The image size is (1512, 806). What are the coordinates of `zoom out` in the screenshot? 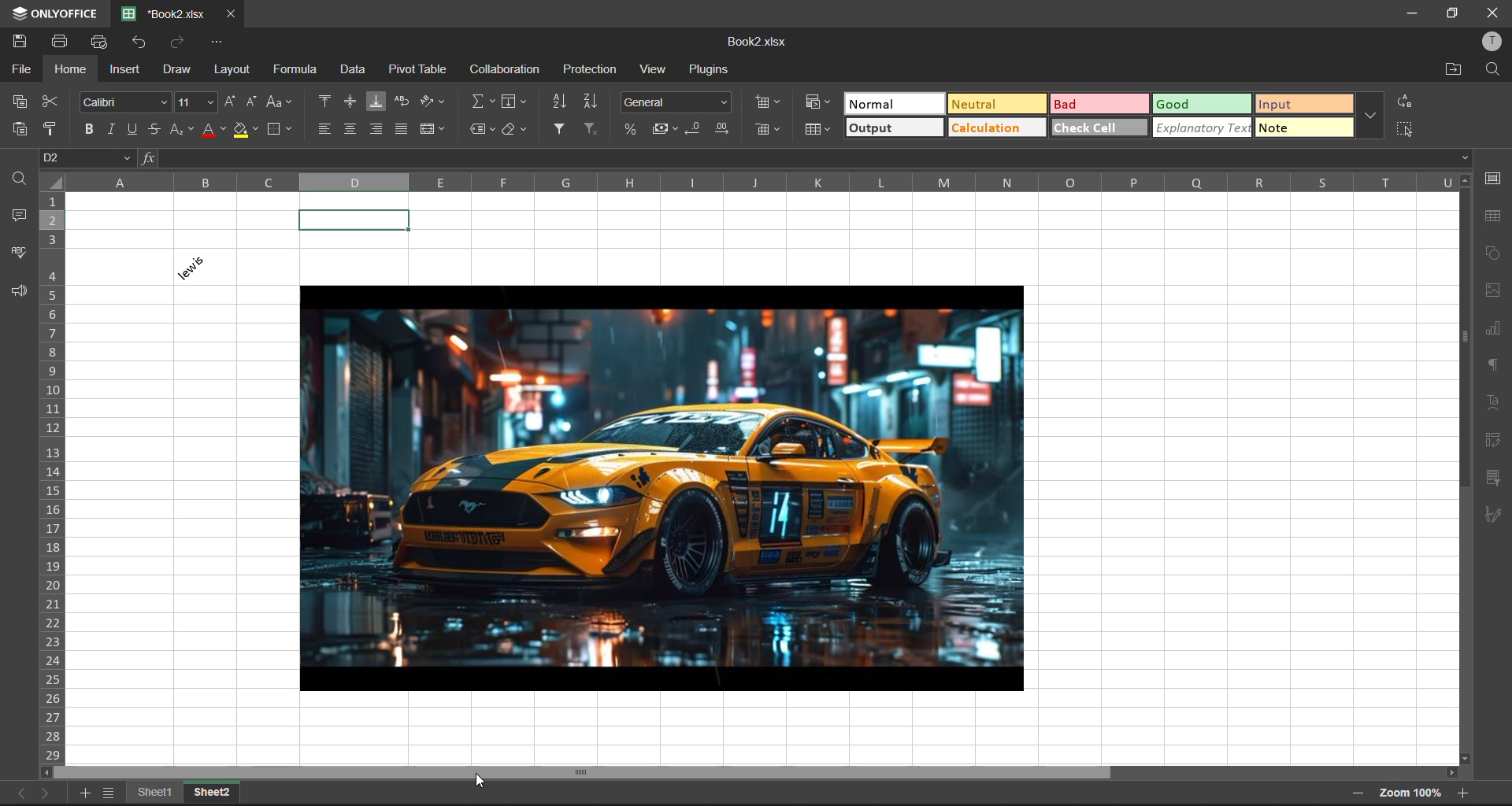 It's located at (1356, 793).